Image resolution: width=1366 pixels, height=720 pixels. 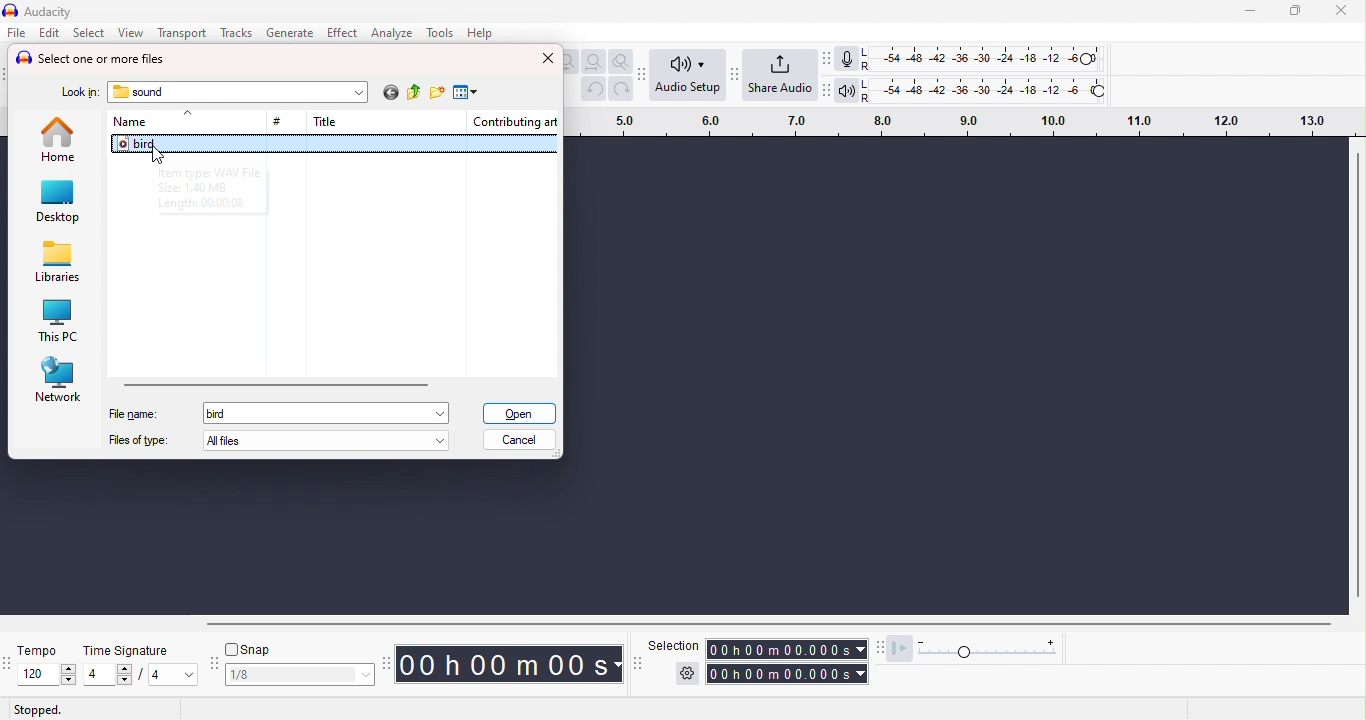 I want to click on share audio tool bar, so click(x=733, y=74).